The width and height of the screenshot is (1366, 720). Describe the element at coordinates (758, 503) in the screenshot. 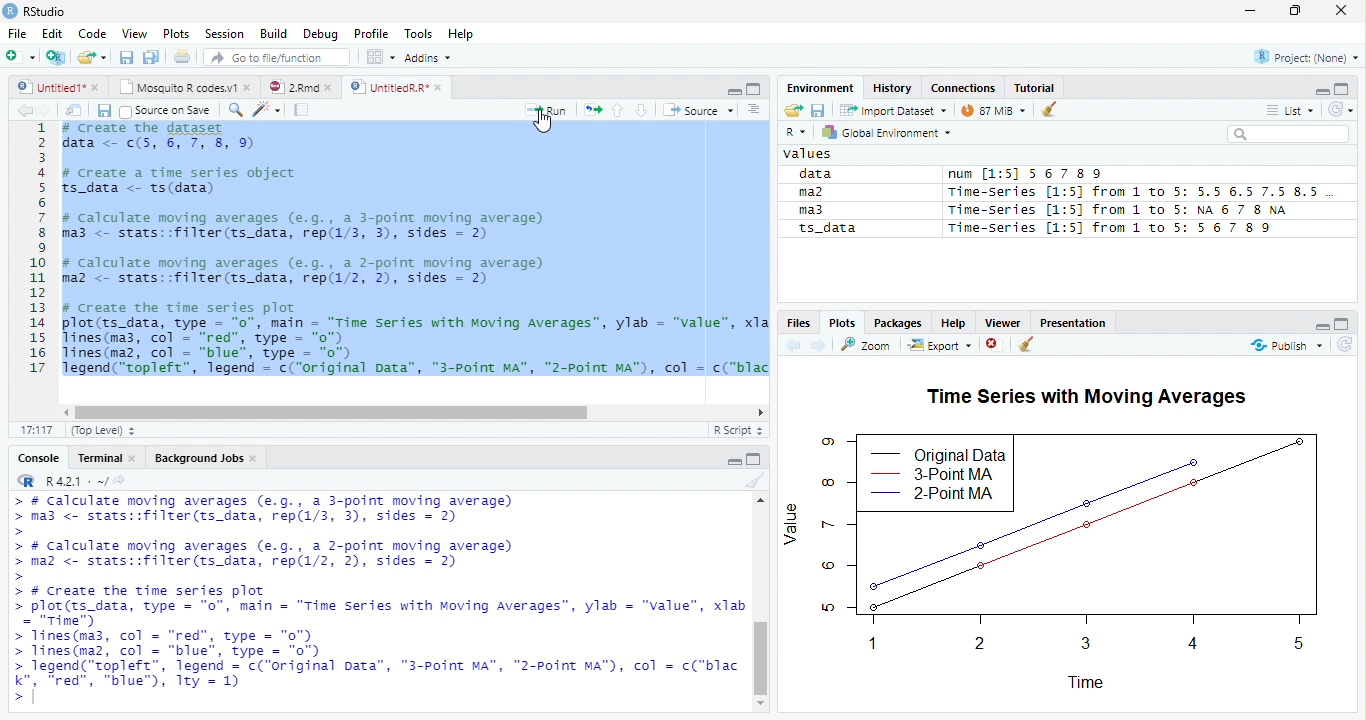

I see `scrollbar up` at that location.